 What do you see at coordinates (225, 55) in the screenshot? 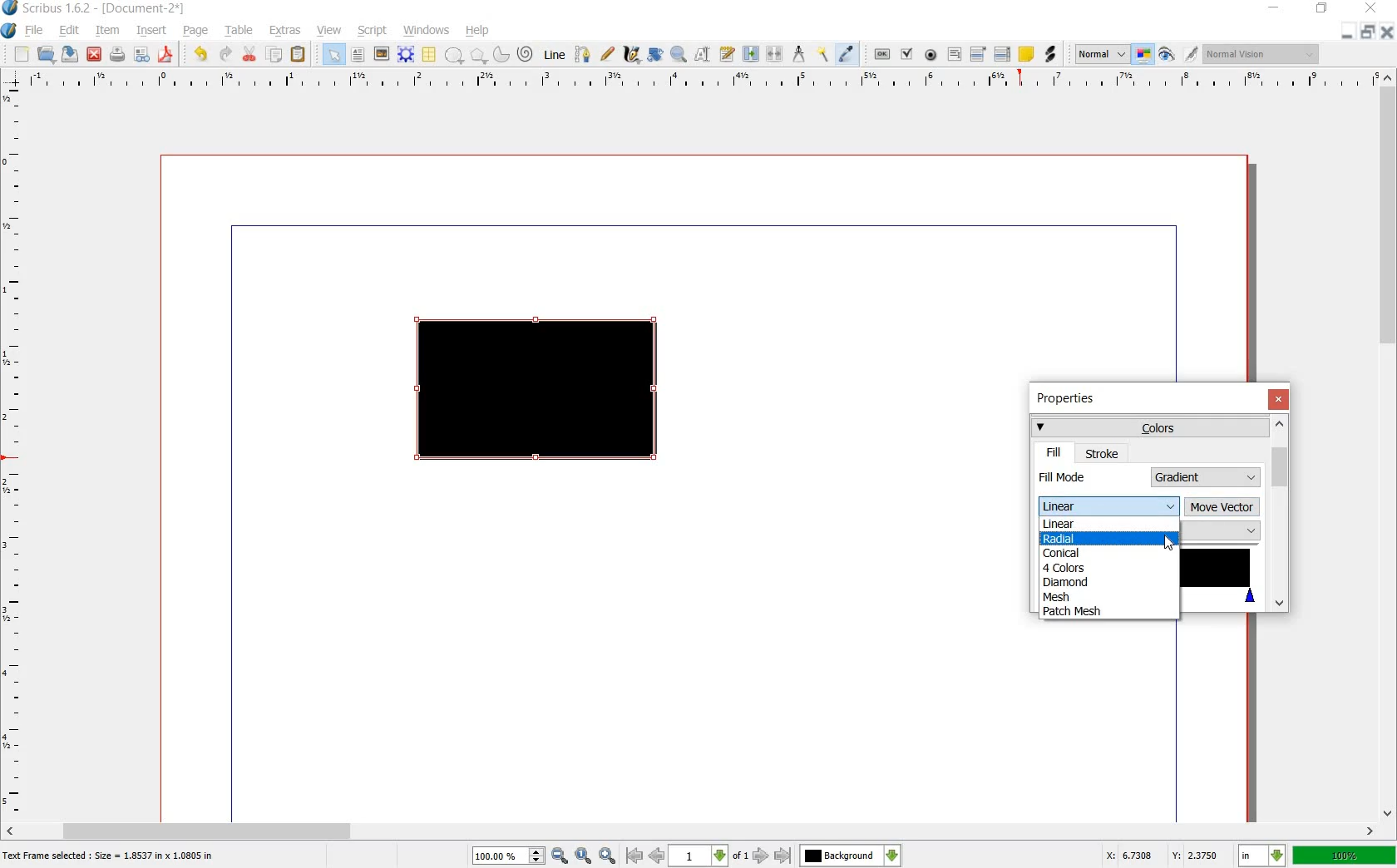
I see `redo` at bounding box center [225, 55].